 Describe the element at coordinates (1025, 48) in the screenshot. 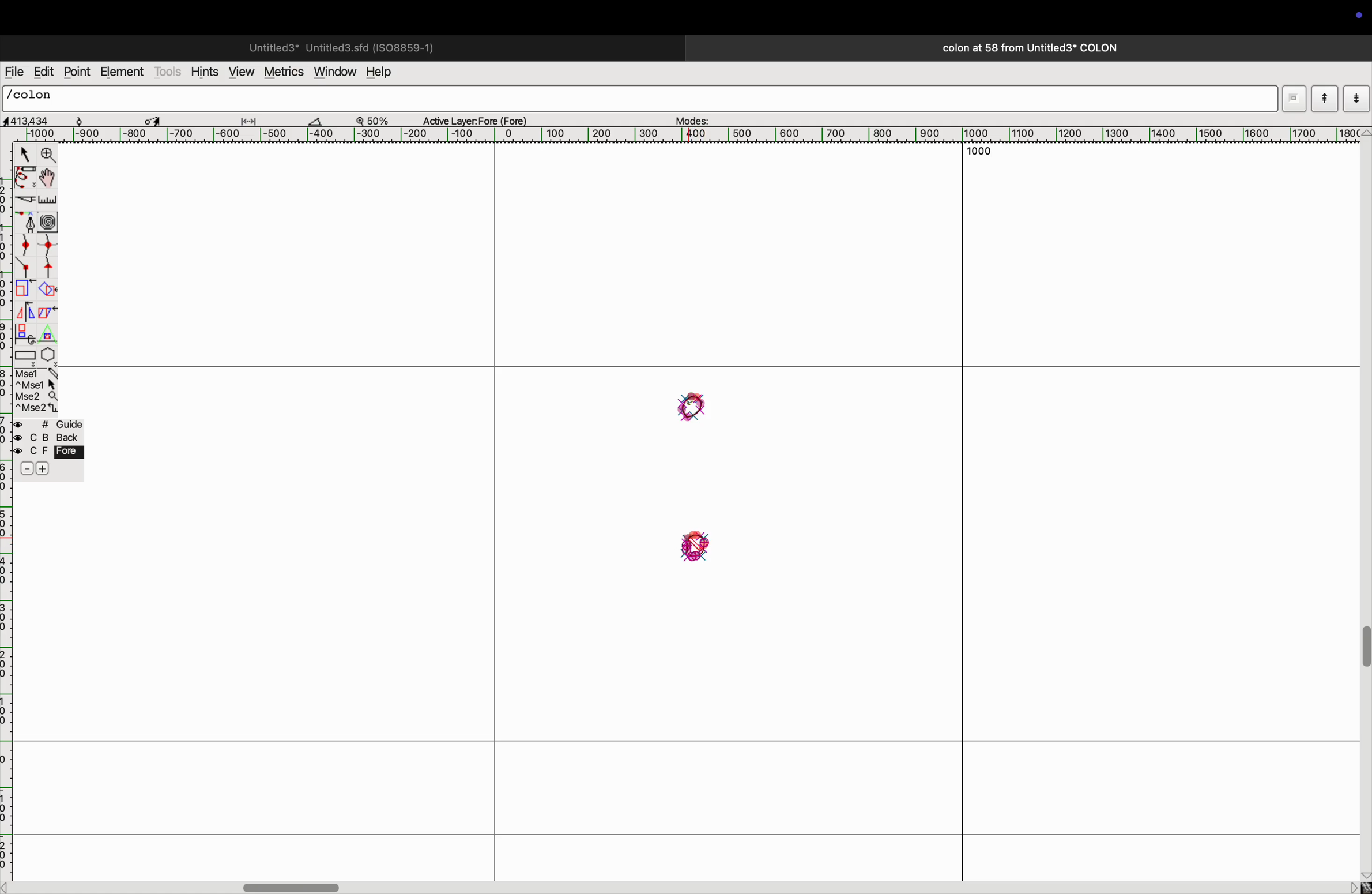

I see `colon title` at that location.